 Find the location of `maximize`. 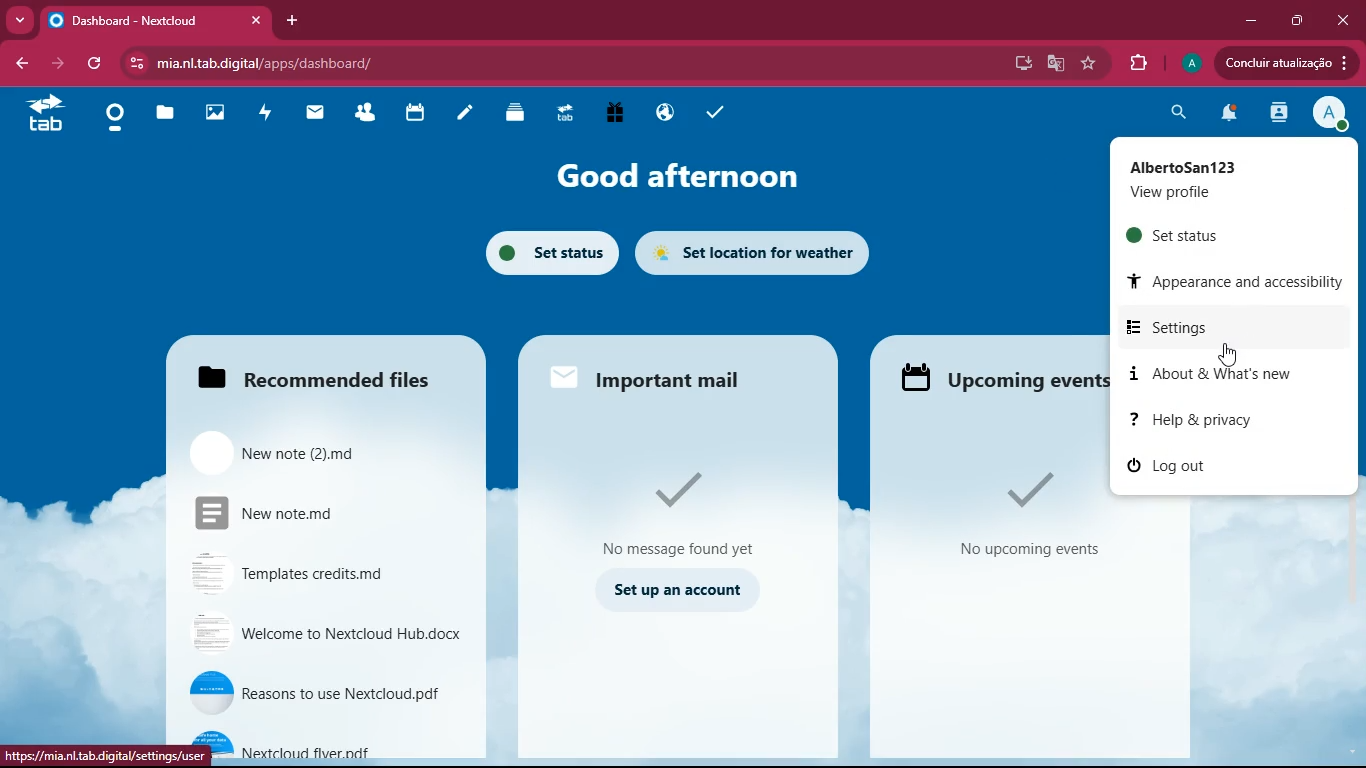

maximize is located at coordinates (1299, 22).